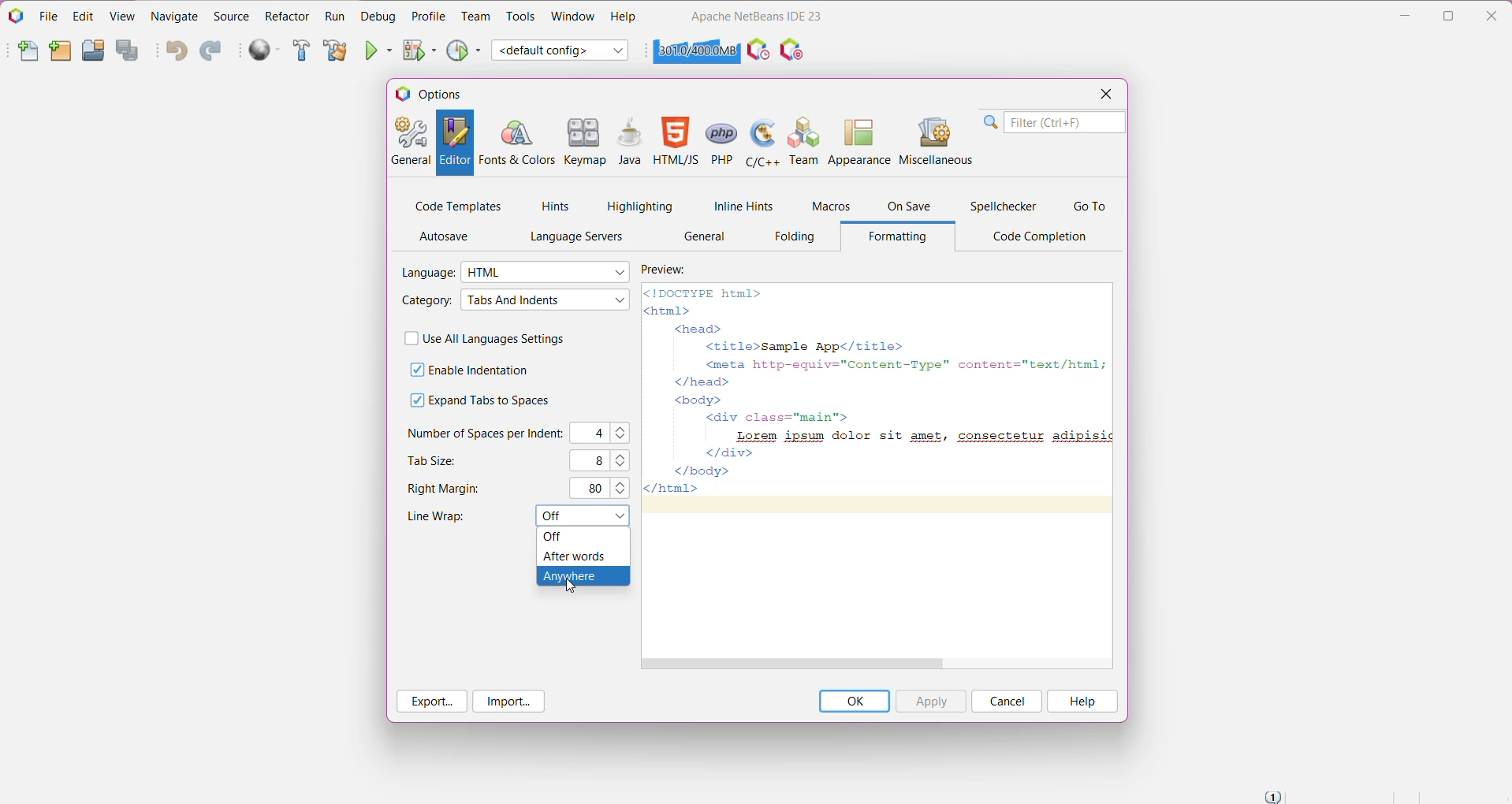 The width and height of the screenshot is (1512, 804). Describe the element at coordinates (696, 381) in the screenshot. I see `</head>` at that location.